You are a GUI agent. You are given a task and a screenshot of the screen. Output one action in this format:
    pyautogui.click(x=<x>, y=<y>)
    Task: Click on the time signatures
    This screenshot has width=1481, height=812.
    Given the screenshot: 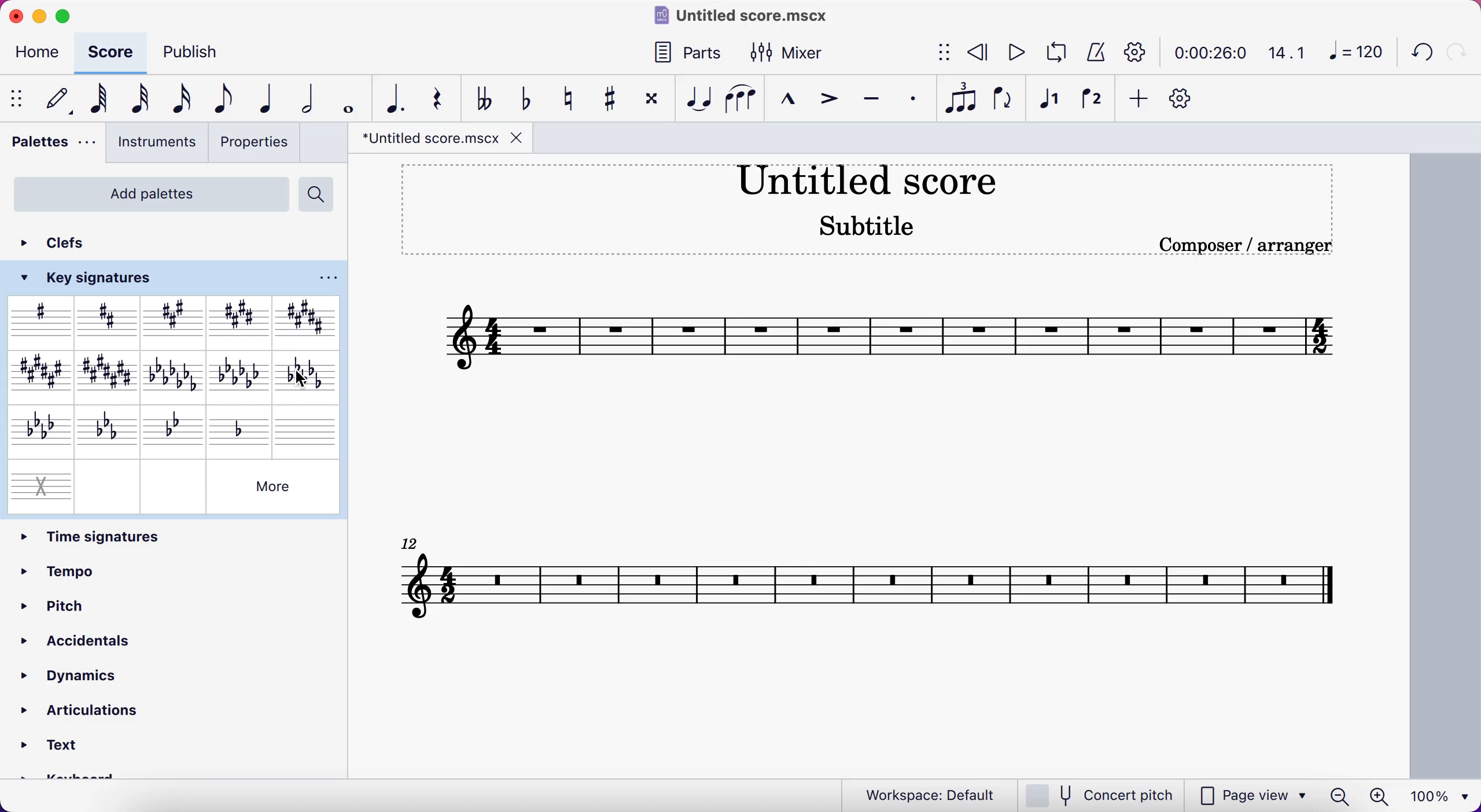 What is the action you would take?
    pyautogui.click(x=175, y=535)
    